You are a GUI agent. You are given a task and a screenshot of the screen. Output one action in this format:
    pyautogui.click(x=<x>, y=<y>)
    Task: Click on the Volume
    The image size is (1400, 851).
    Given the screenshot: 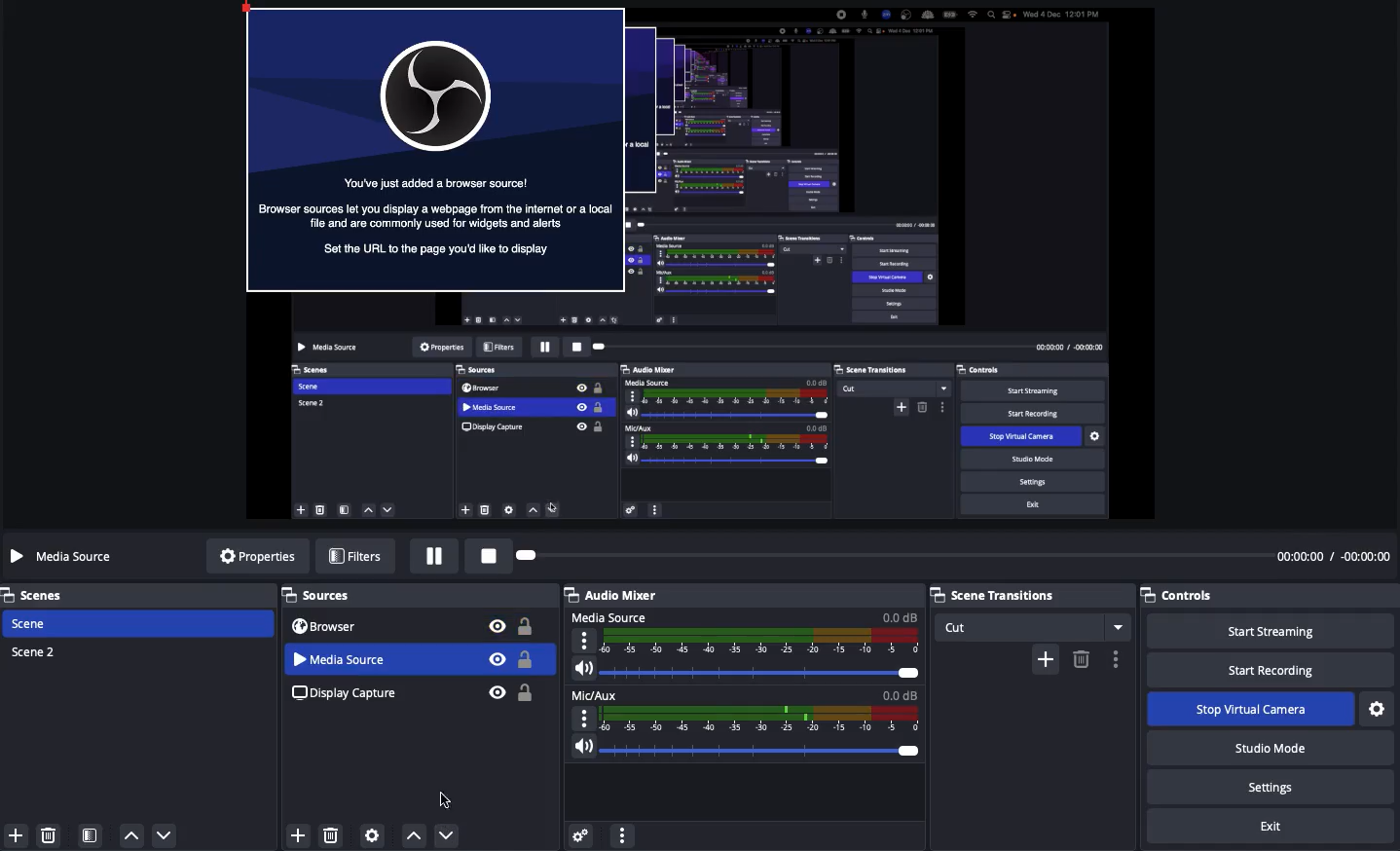 What is the action you would take?
    pyautogui.click(x=746, y=750)
    